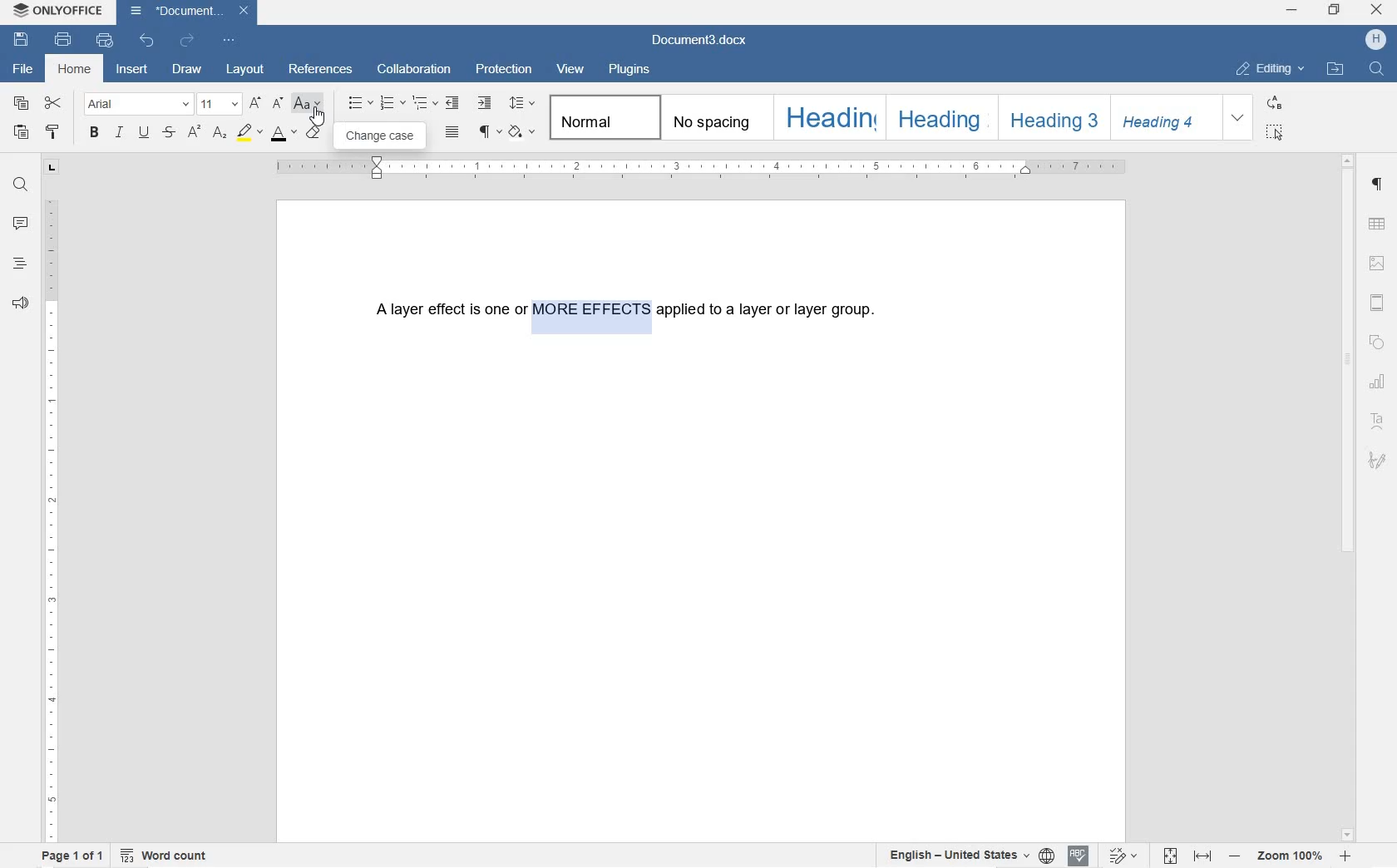  What do you see at coordinates (486, 104) in the screenshot?
I see `INCREASE INDENT` at bounding box center [486, 104].